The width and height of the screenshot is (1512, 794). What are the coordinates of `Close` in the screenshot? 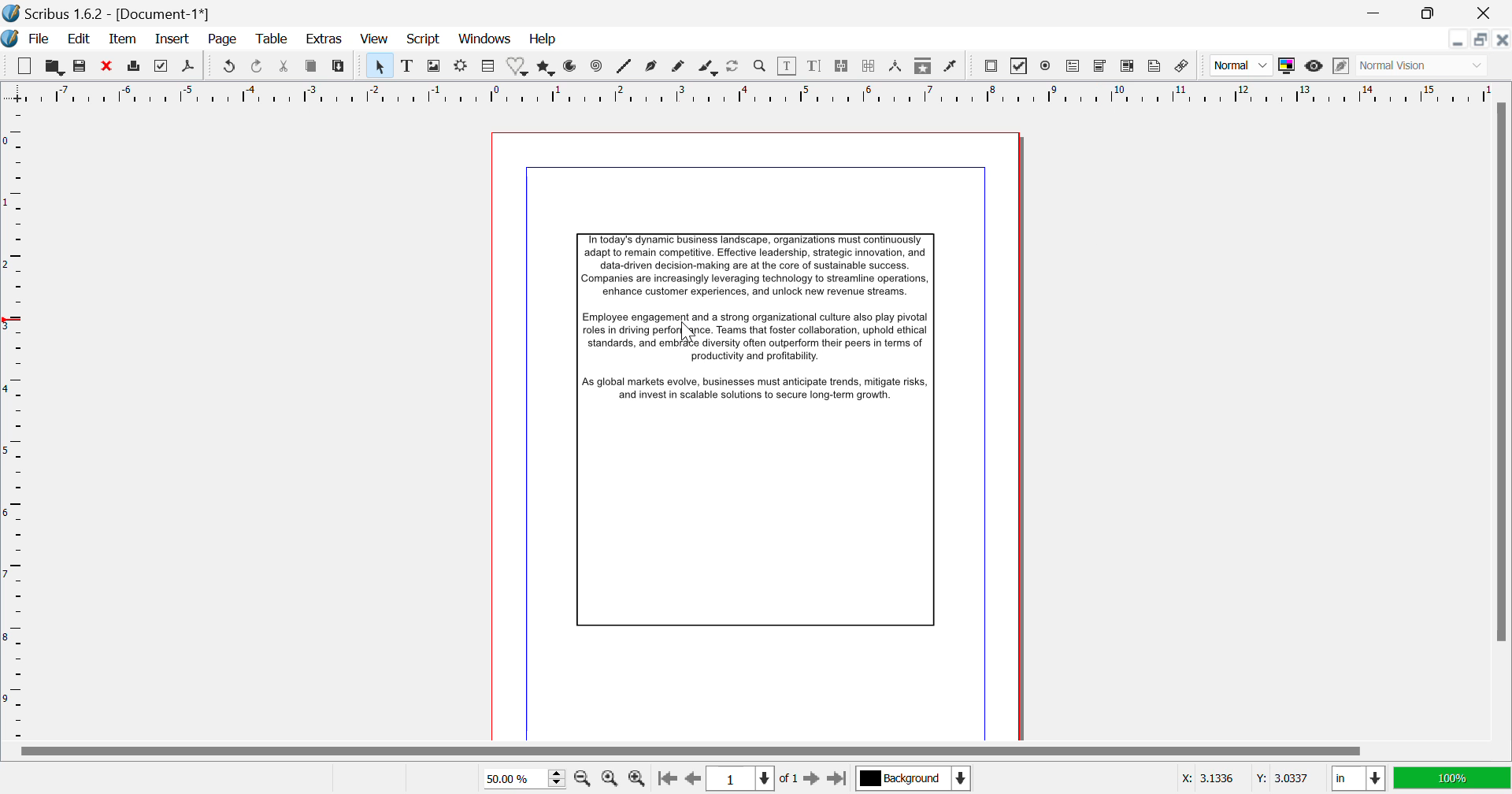 It's located at (1485, 13).